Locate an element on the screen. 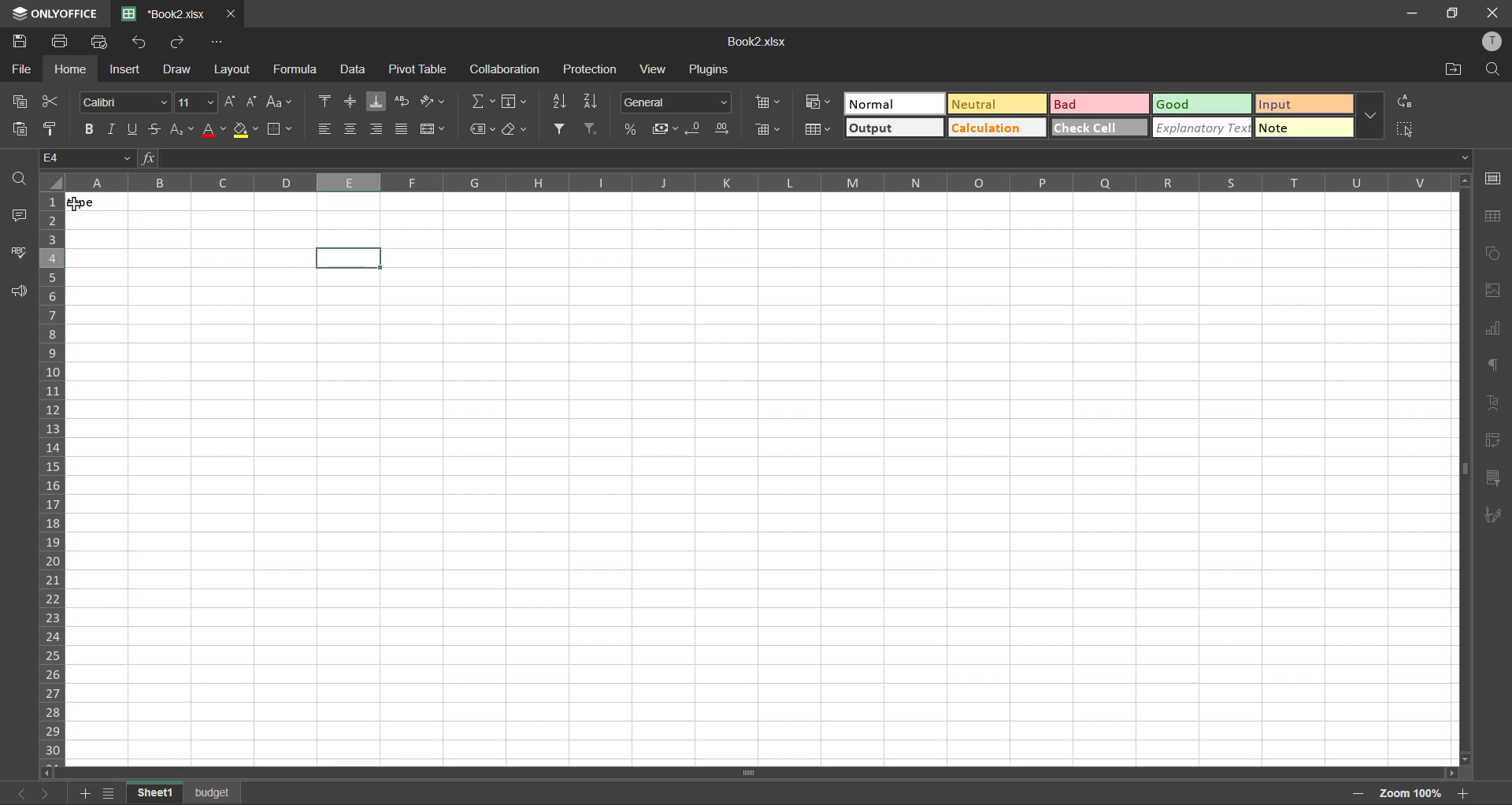  sort descending is located at coordinates (591, 101).